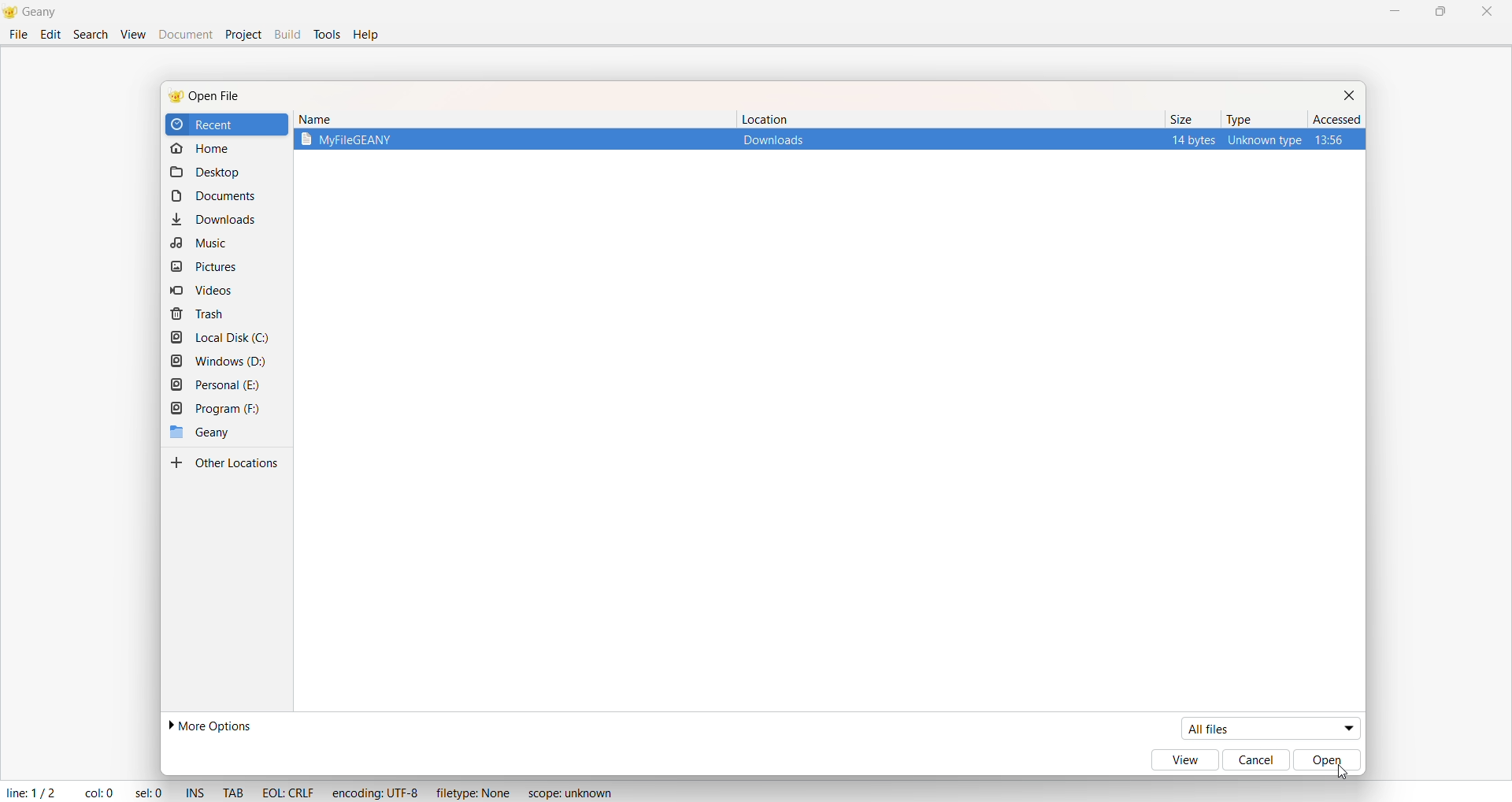  Describe the element at coordinates (219, 337) in the screenshot. I see `local disk C` at that location.